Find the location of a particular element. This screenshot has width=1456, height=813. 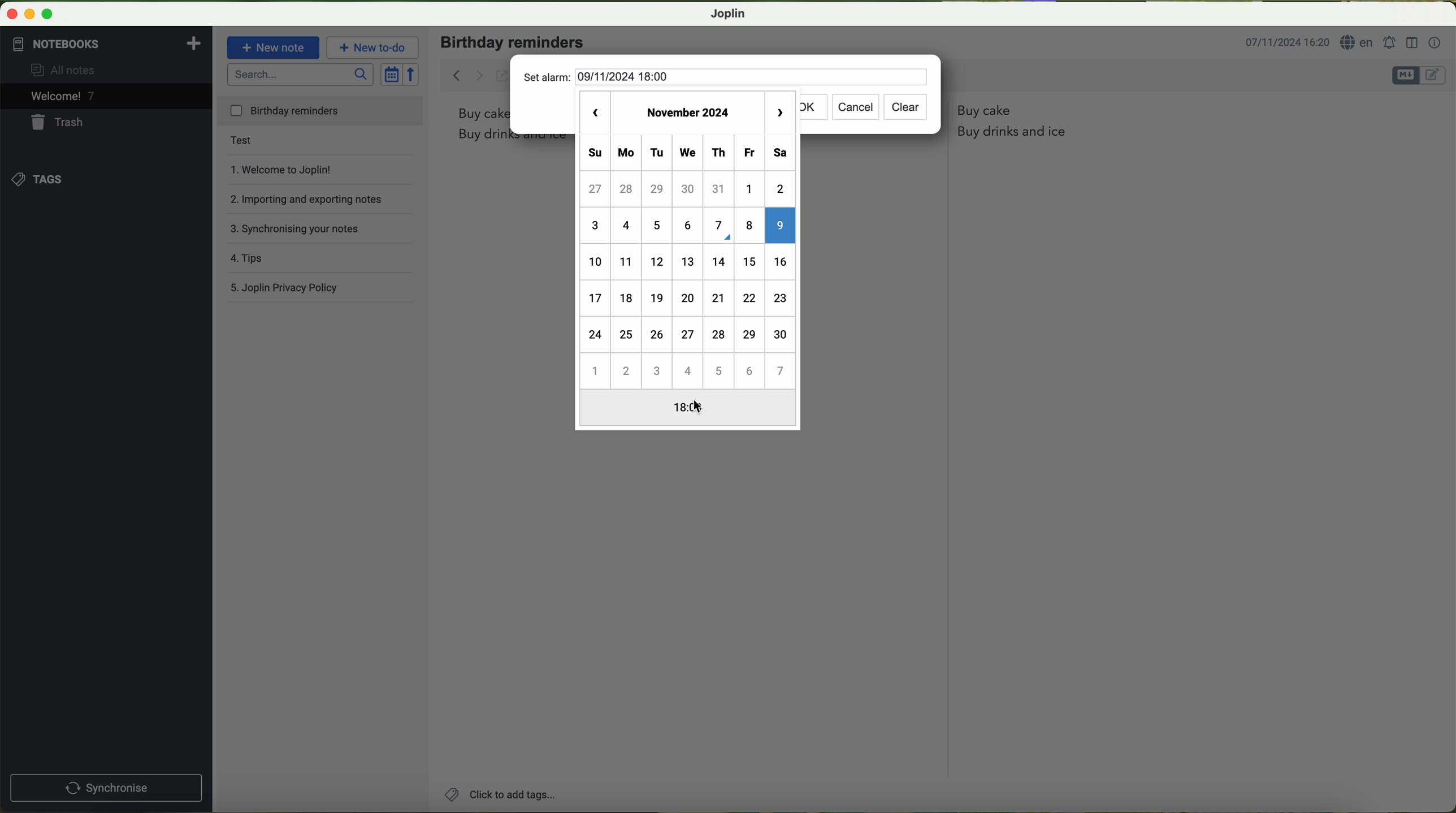

clear is located at coordinates (903, 106).